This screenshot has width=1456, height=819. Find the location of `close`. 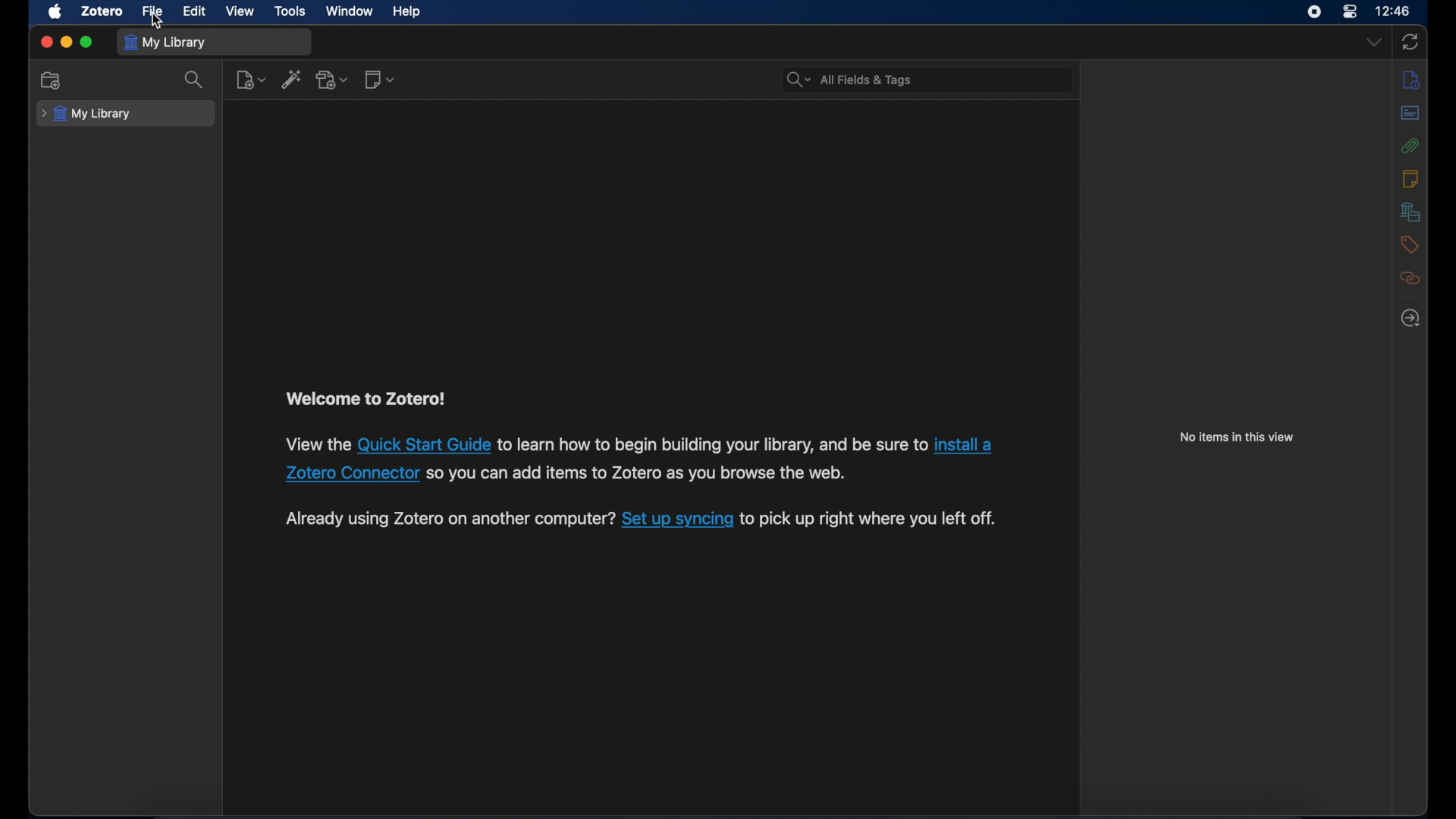

close is located at coordinates (45, 42).